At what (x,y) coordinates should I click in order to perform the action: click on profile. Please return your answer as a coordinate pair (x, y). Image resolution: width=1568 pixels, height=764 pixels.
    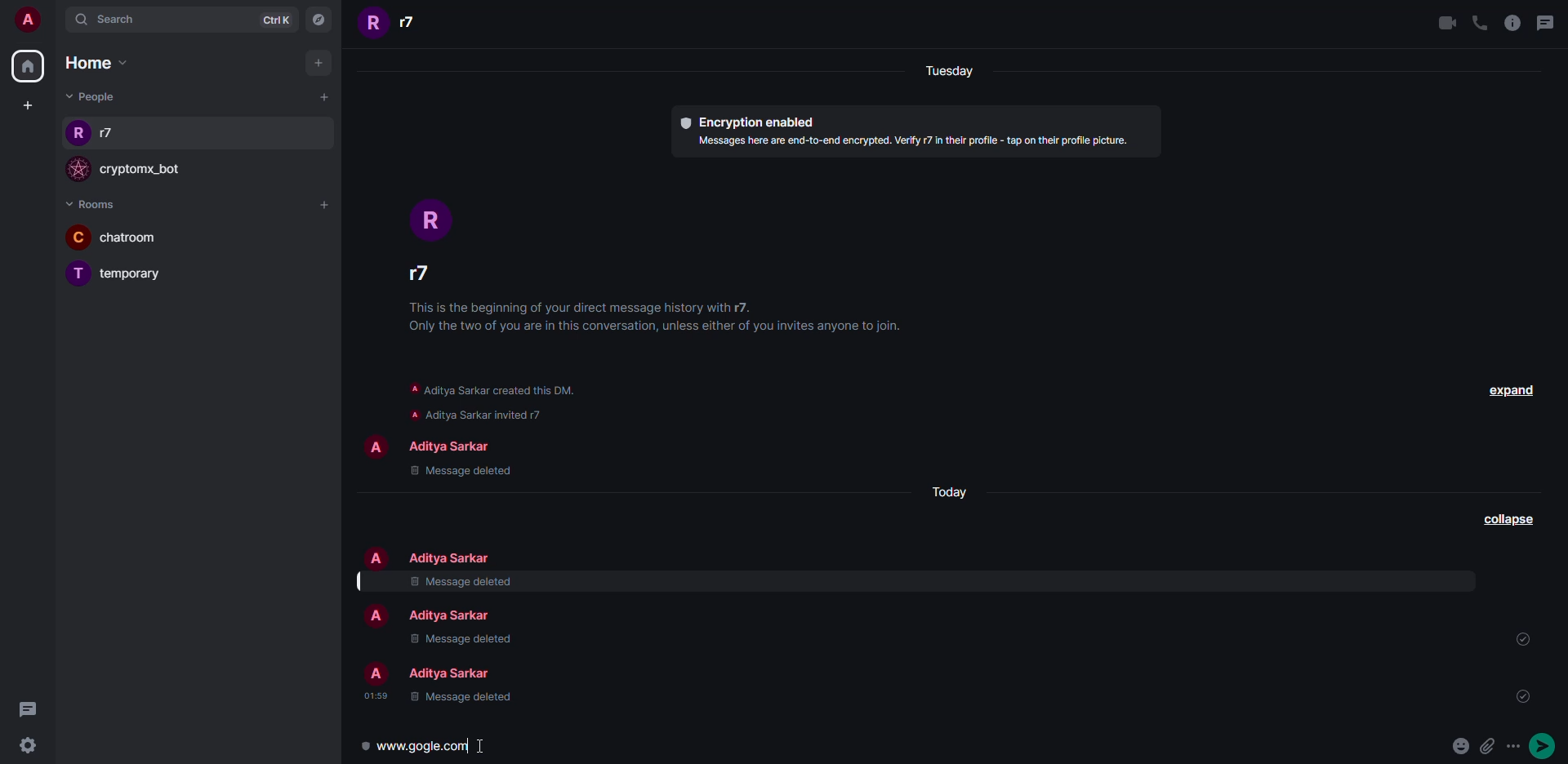
    Looking at the image, I should click on (431, 216).